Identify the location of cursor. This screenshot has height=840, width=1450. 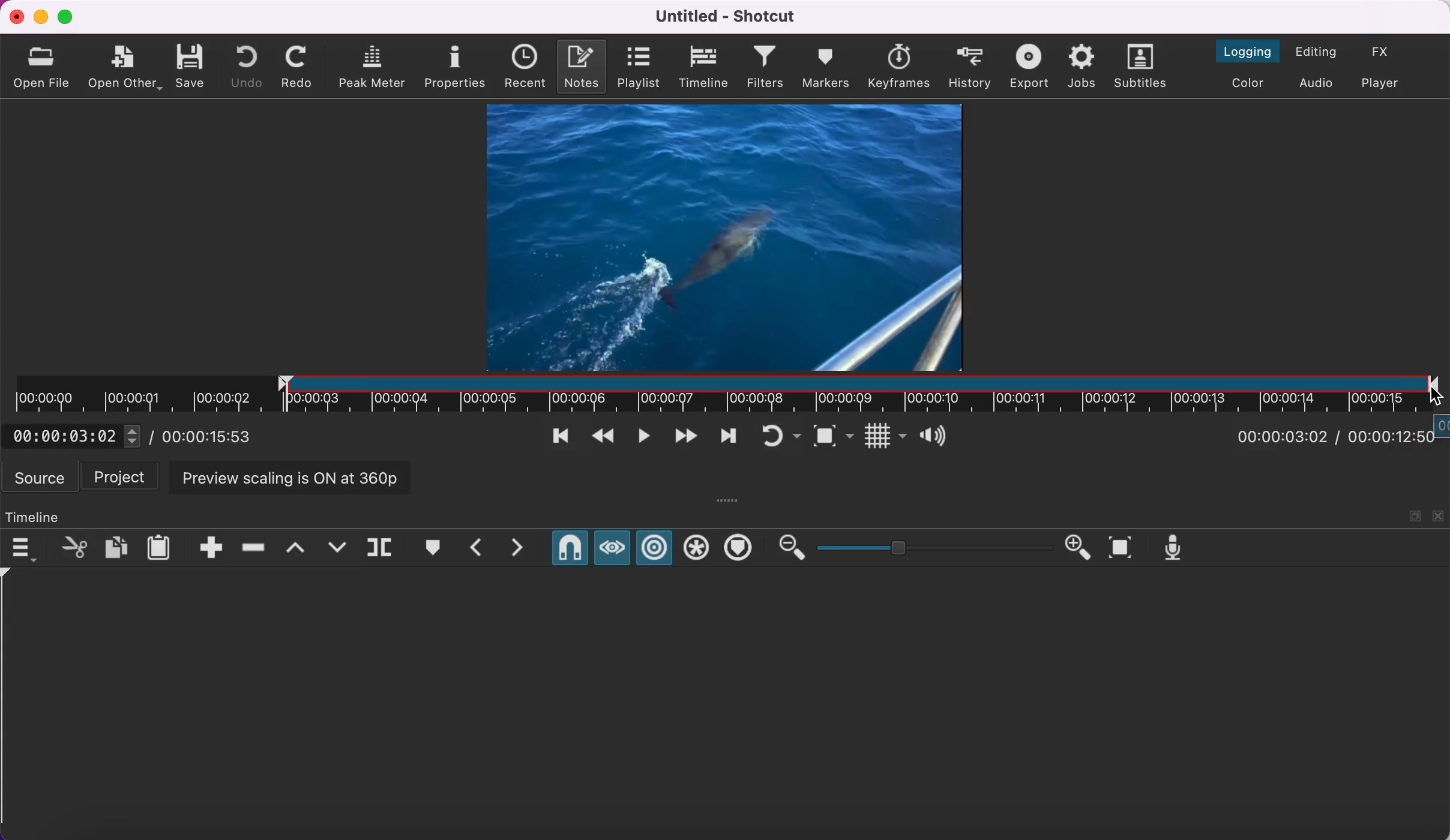
(1423, 394).